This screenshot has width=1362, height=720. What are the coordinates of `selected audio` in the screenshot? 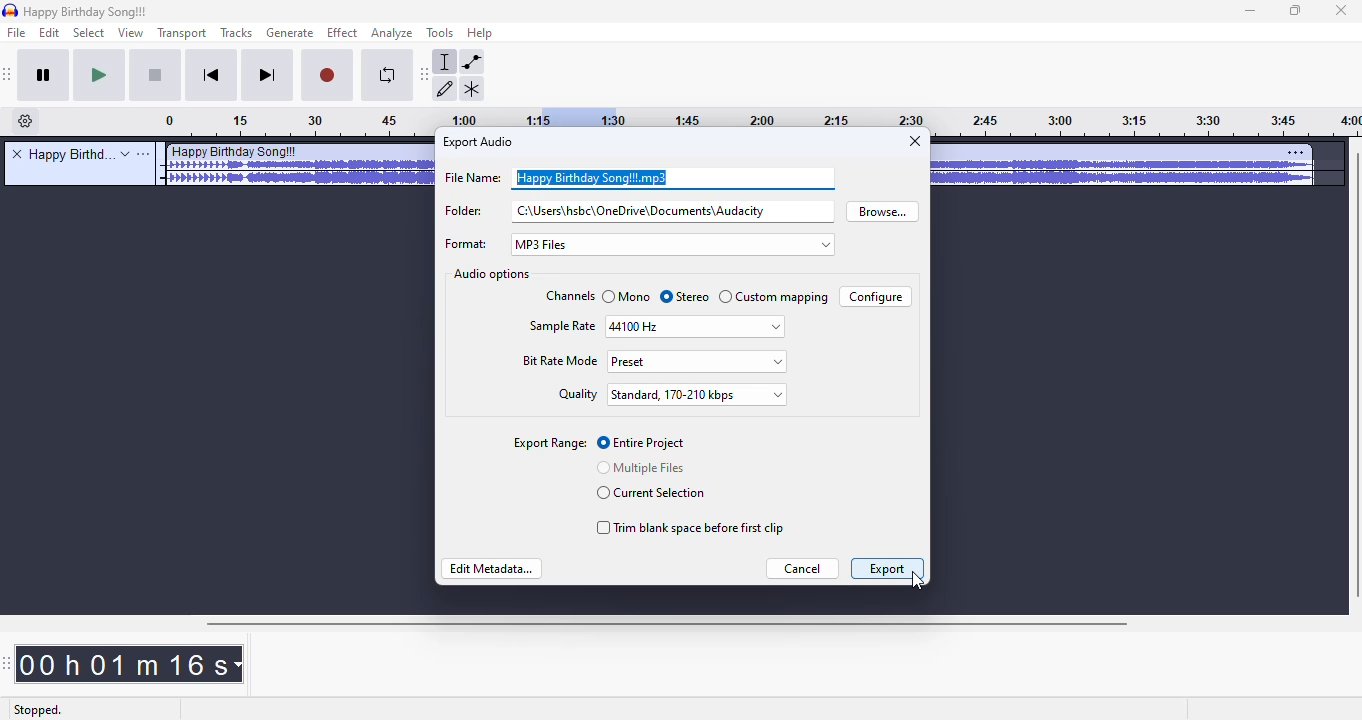 It's located at (575, 118).